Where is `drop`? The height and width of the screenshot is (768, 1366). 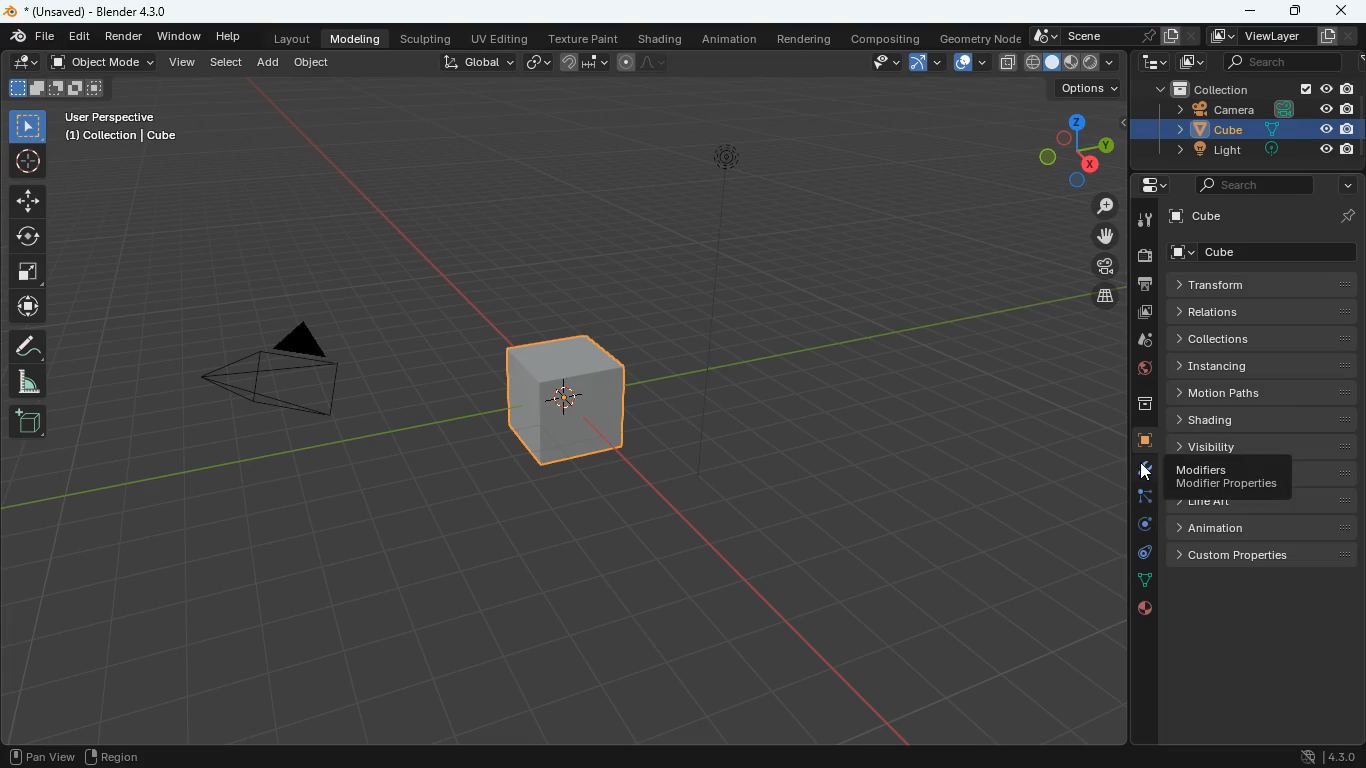 drop is located at coordinates (1137, 341).